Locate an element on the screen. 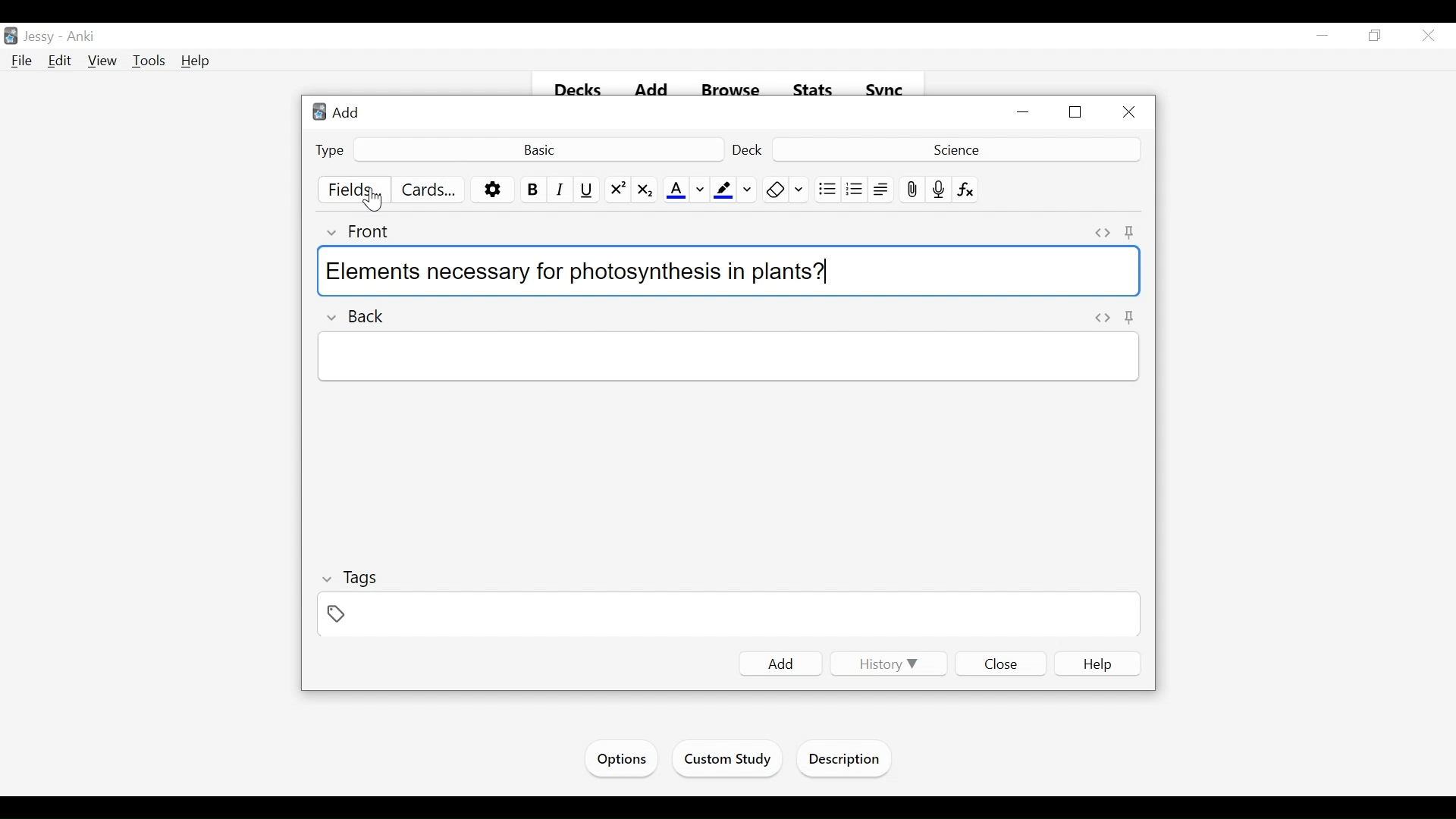 Image resolution: width=1456 pixels, height=819 pixels. Options is located at coordinates (620, 759).